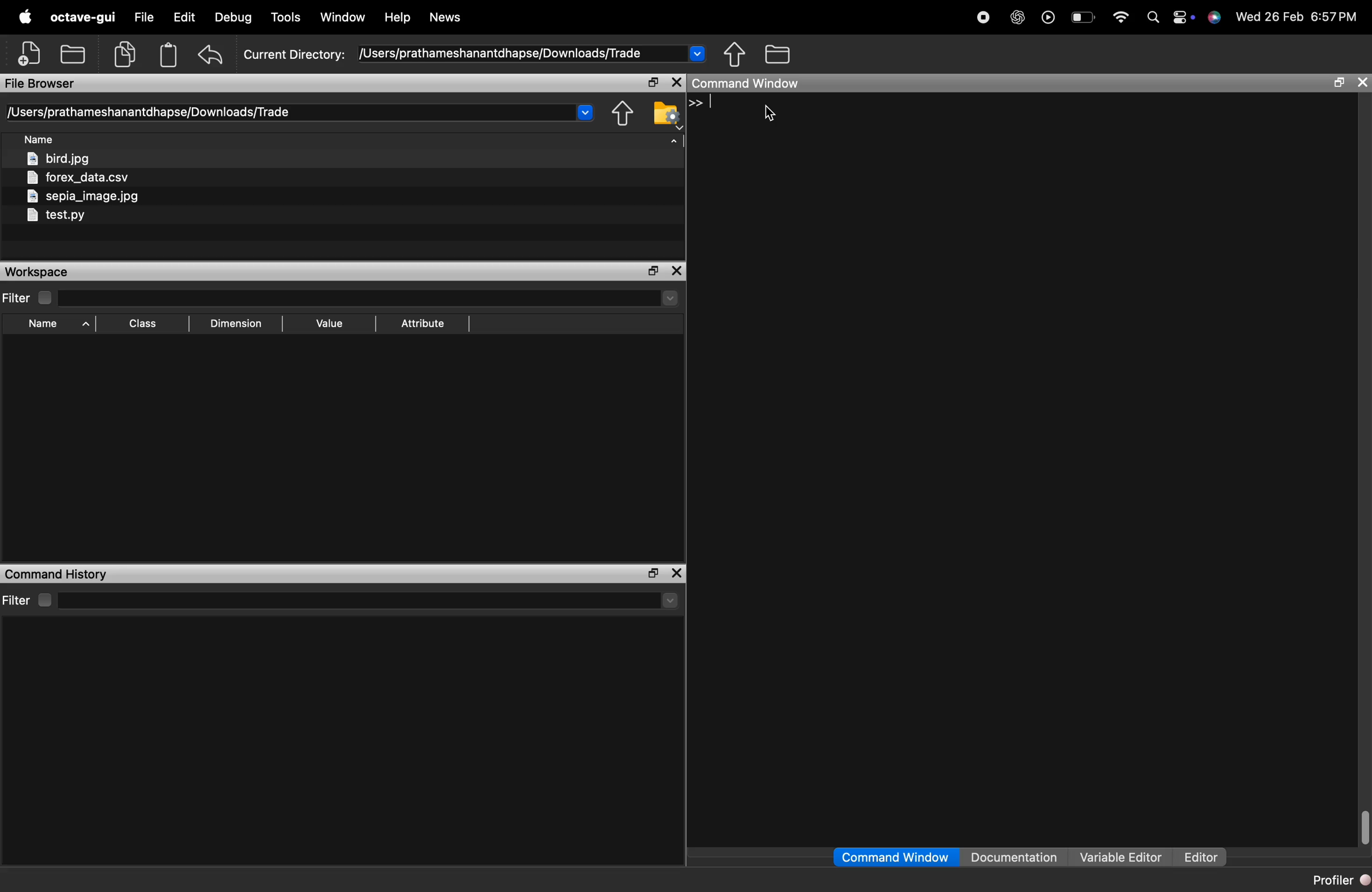 The width and height of the screenshot is (1372, 892). What do you see at coordinates (1363, 821) in the screenshot?
I see `vertical scrollbar` at bounding box center [1363, 821].